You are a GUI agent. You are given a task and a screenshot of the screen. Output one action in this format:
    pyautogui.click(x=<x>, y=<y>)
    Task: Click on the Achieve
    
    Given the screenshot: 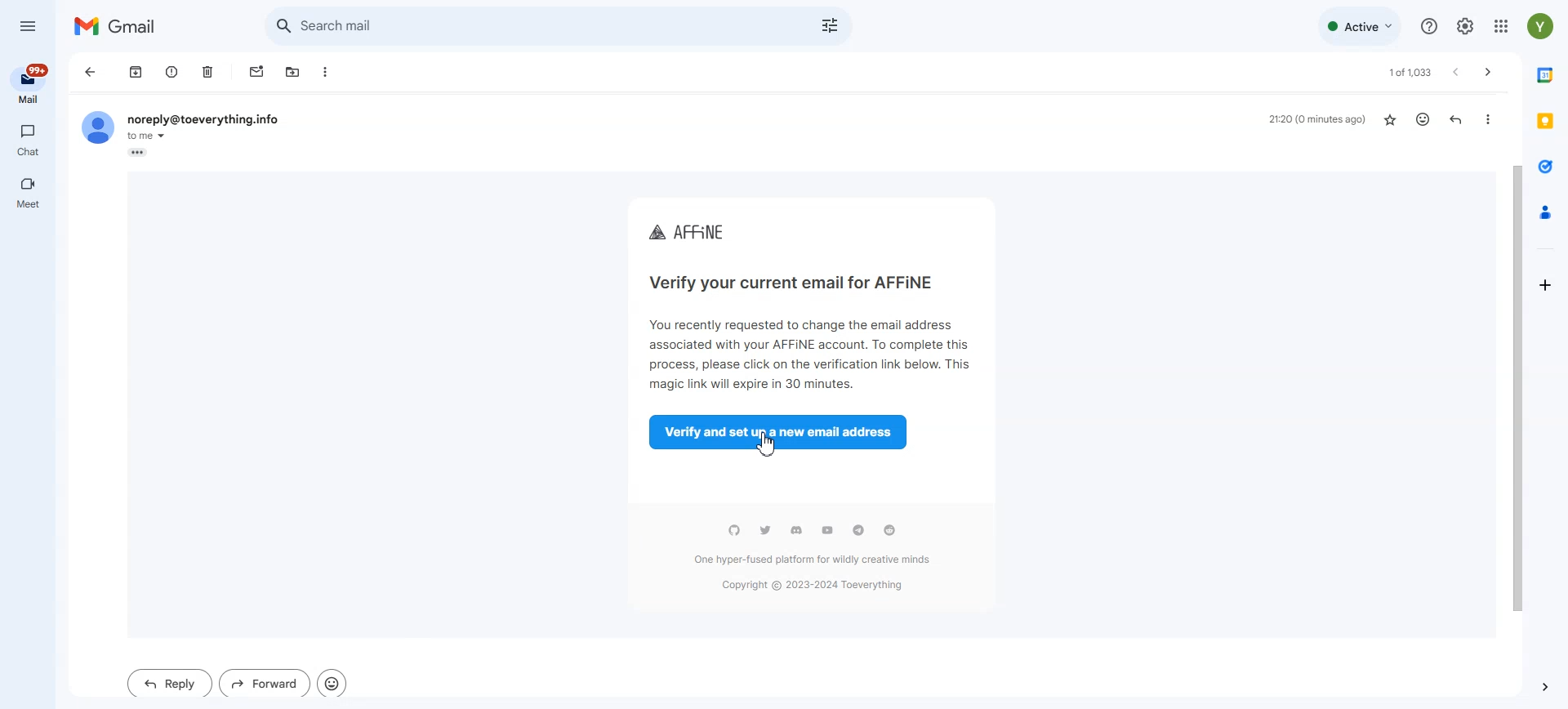 What is the action you would take?
    pyautogui.click(x=134, y=73)
    